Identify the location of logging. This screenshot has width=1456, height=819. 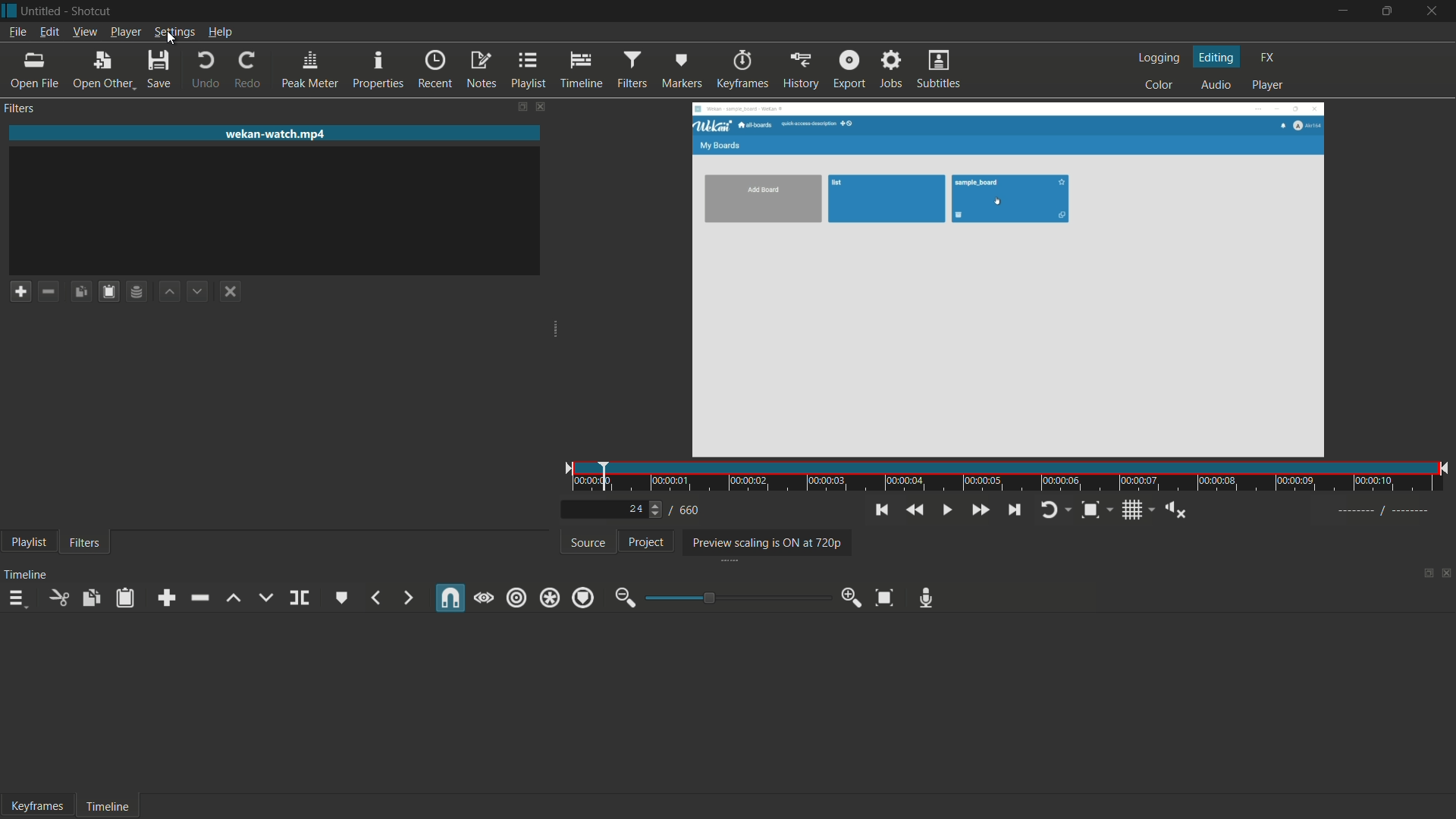
(1158, 57).